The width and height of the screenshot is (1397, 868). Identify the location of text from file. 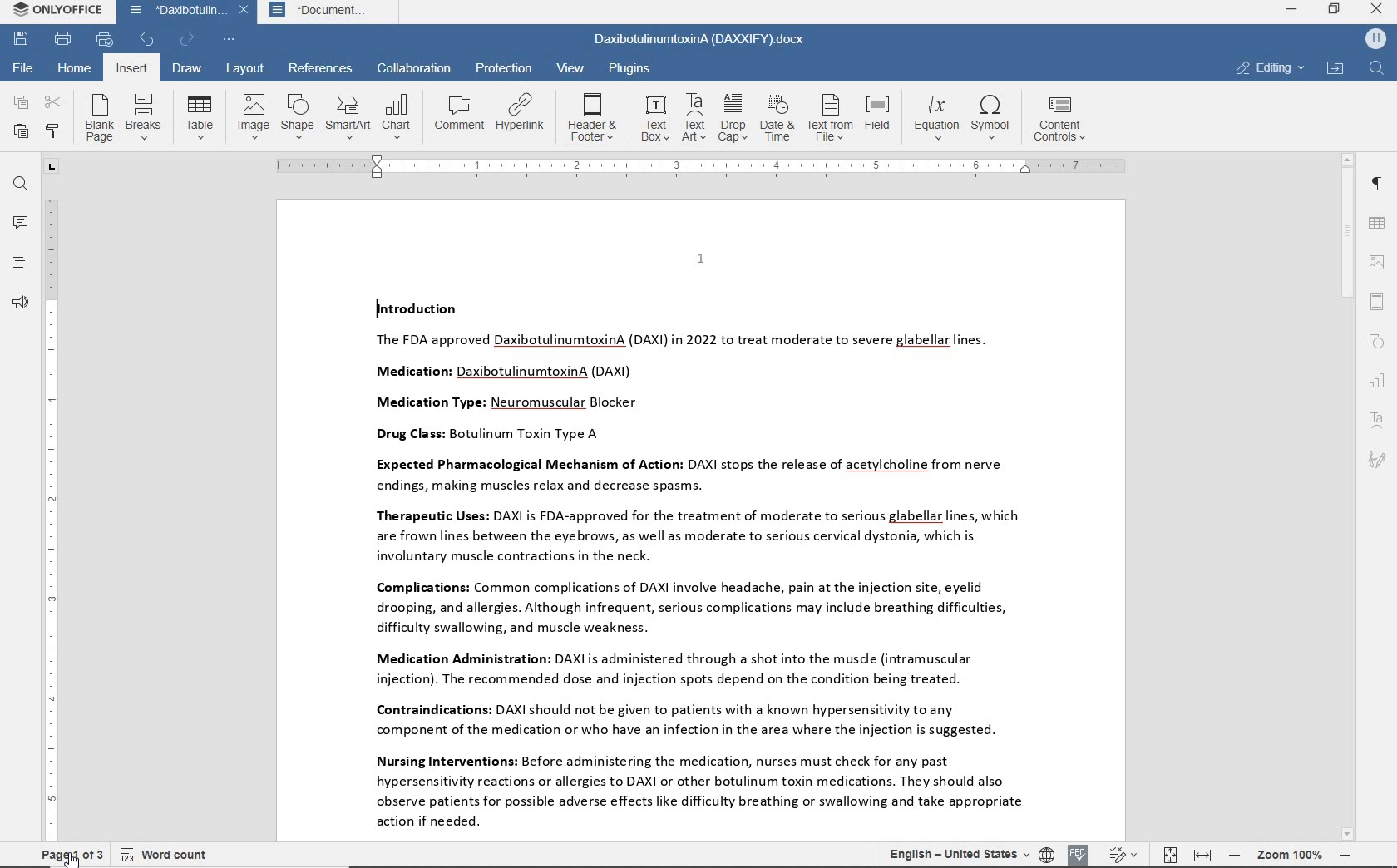
(830, 119).